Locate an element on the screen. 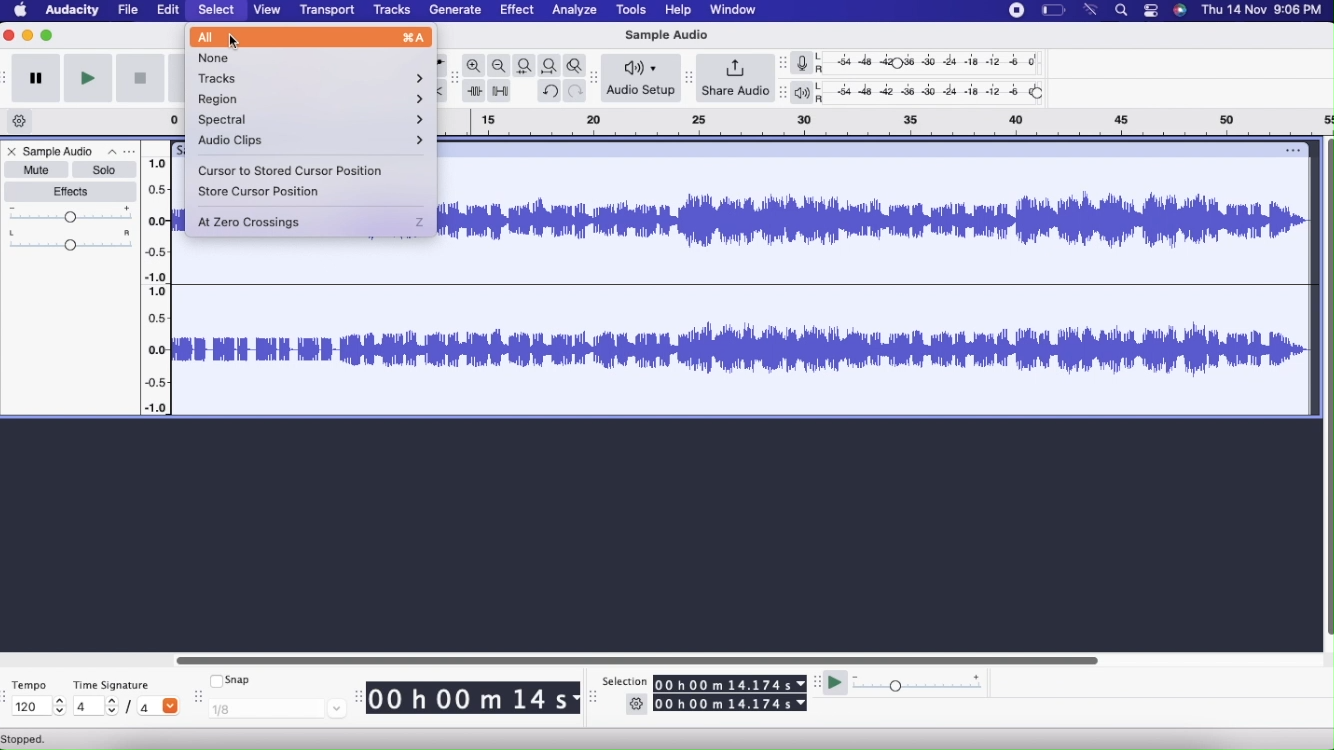 The height and width of the screenshot is (750, 1334). 00 h 00 m 14 s is located at coordinates (475, 694).